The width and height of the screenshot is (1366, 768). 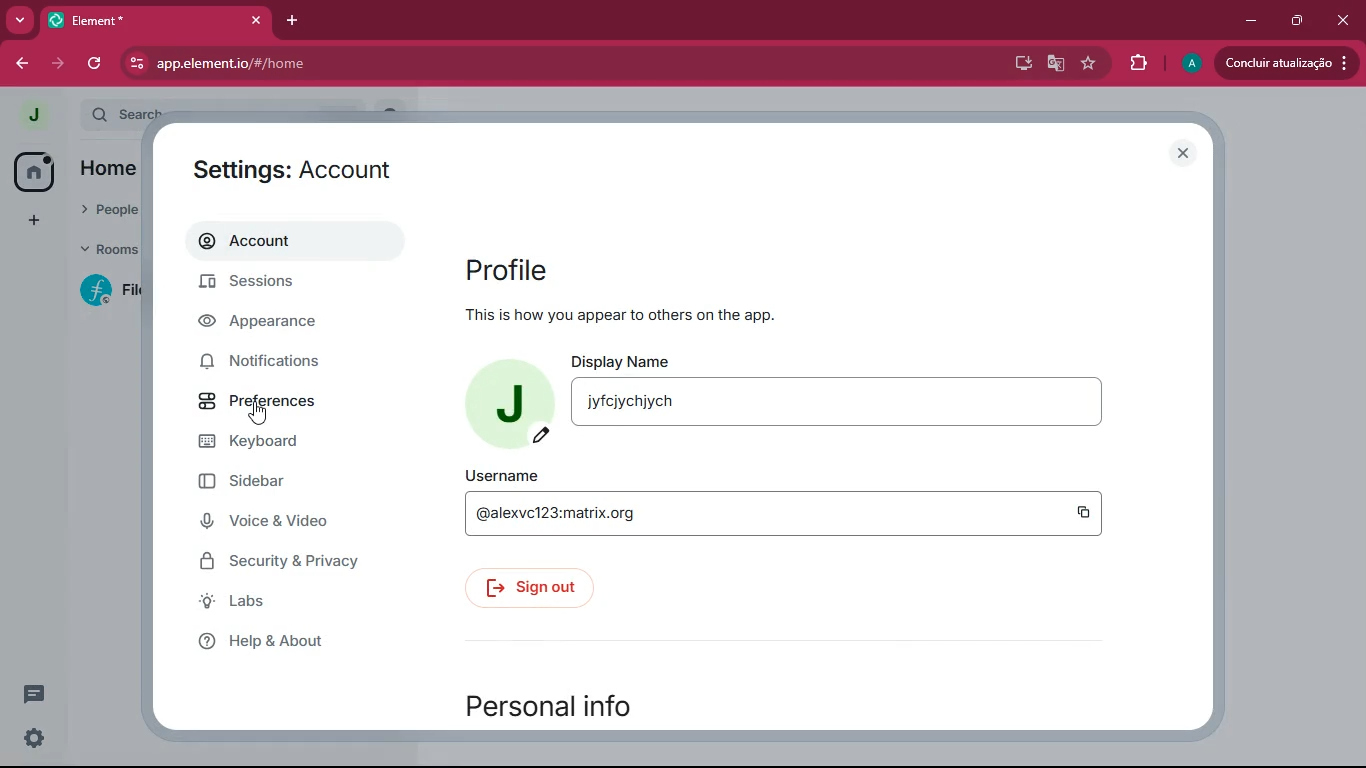 I want to click on username @alexvc123:matrix.org, so click(x=793, y=505).